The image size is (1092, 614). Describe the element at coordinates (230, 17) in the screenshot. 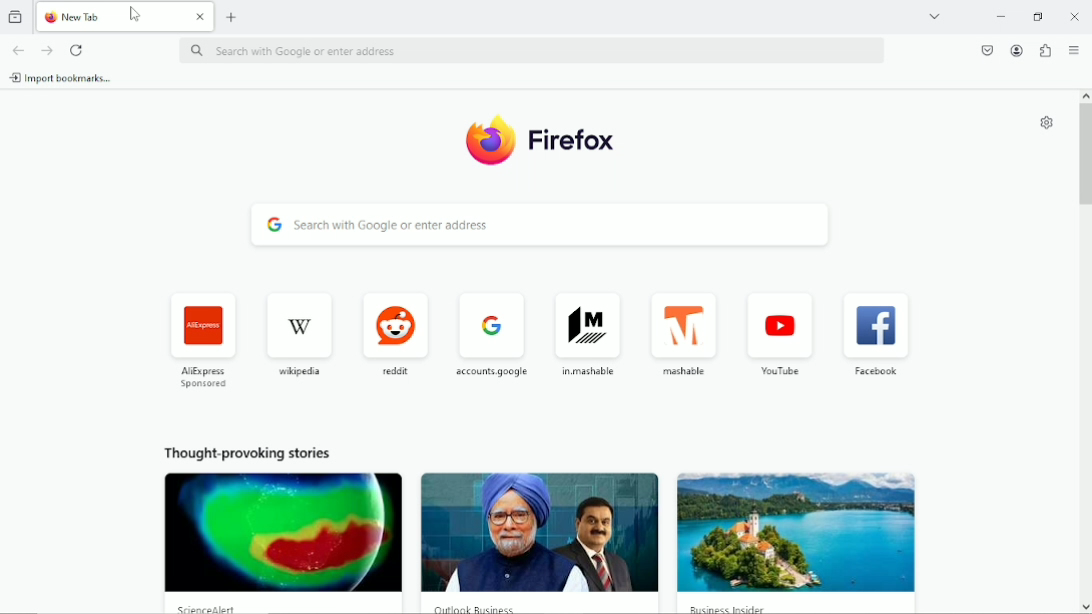

I see `New tab` at that location.